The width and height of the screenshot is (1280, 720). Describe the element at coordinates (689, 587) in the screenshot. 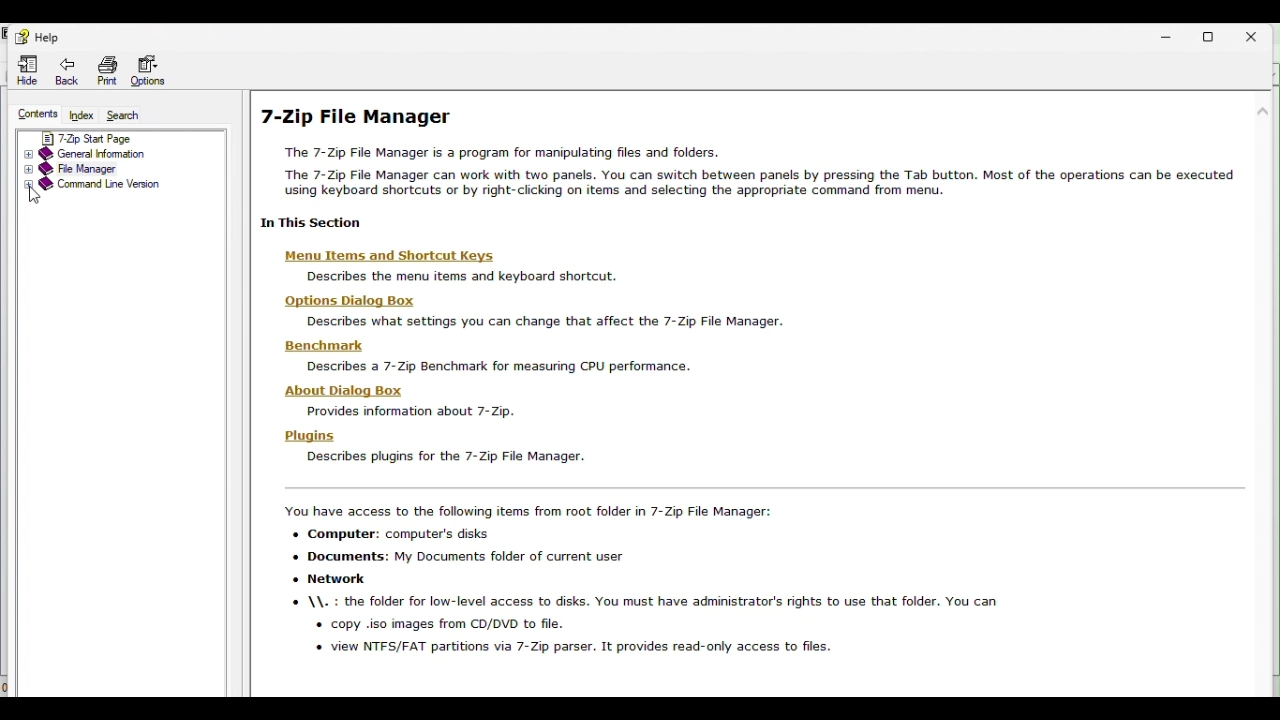

I see `7 zip file manager access items` at that location.